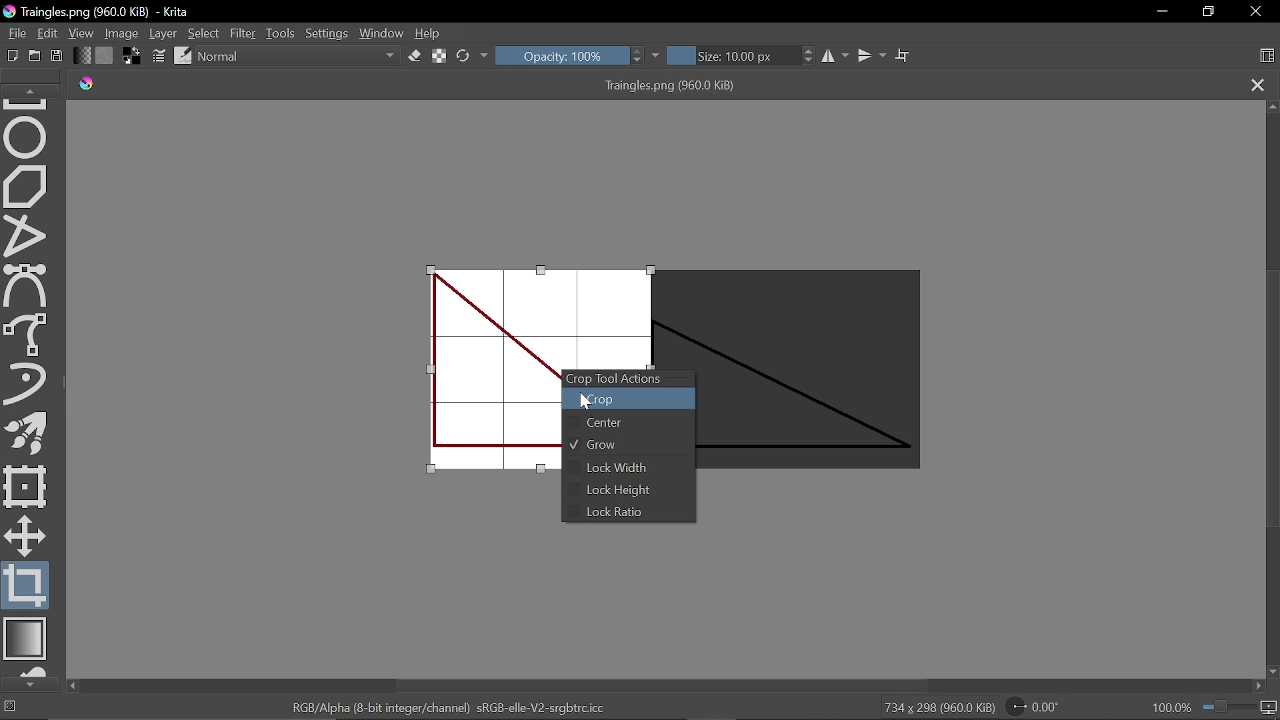 Image resolution: width=1280 pixels, height=720 pixels. Describe the element at coordinates (938, 708) in the screenshot. I see `734 x 298 (960.0 KiB)` at that location.